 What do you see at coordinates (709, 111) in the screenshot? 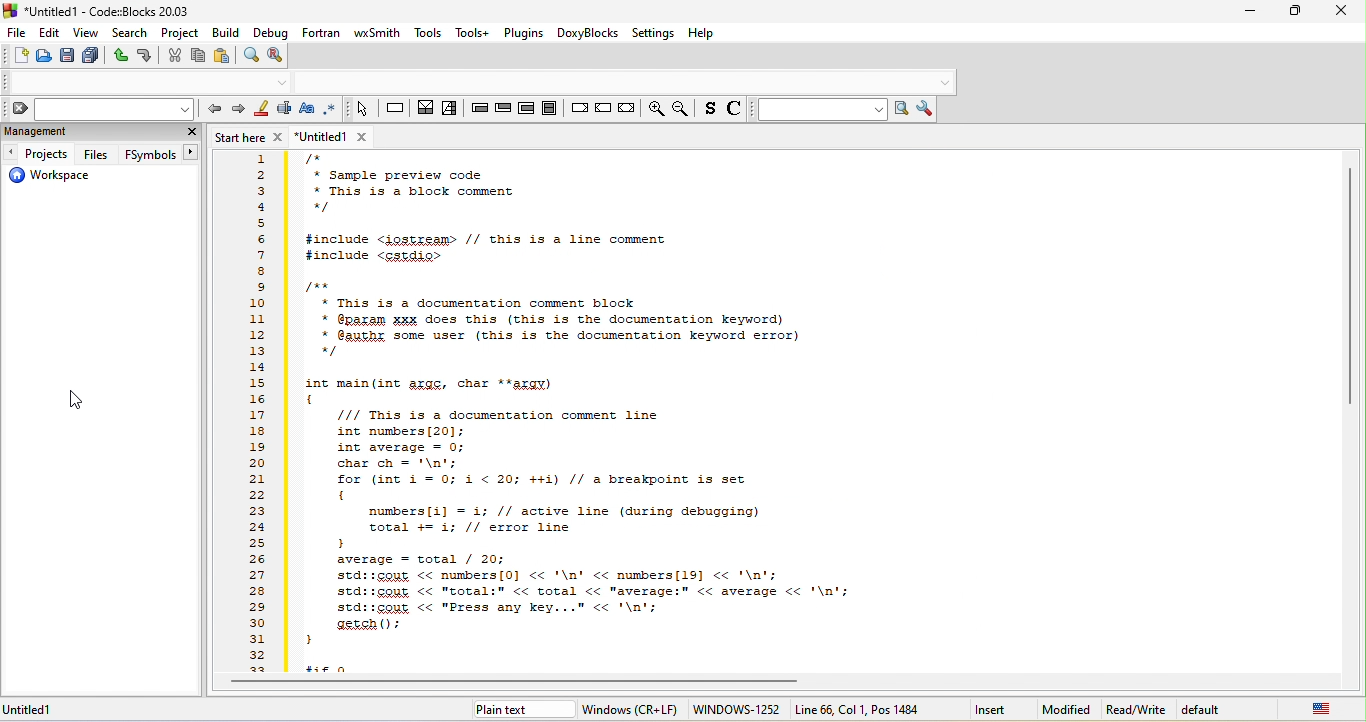
I see `toggle source` at bounding box center [709, 111].